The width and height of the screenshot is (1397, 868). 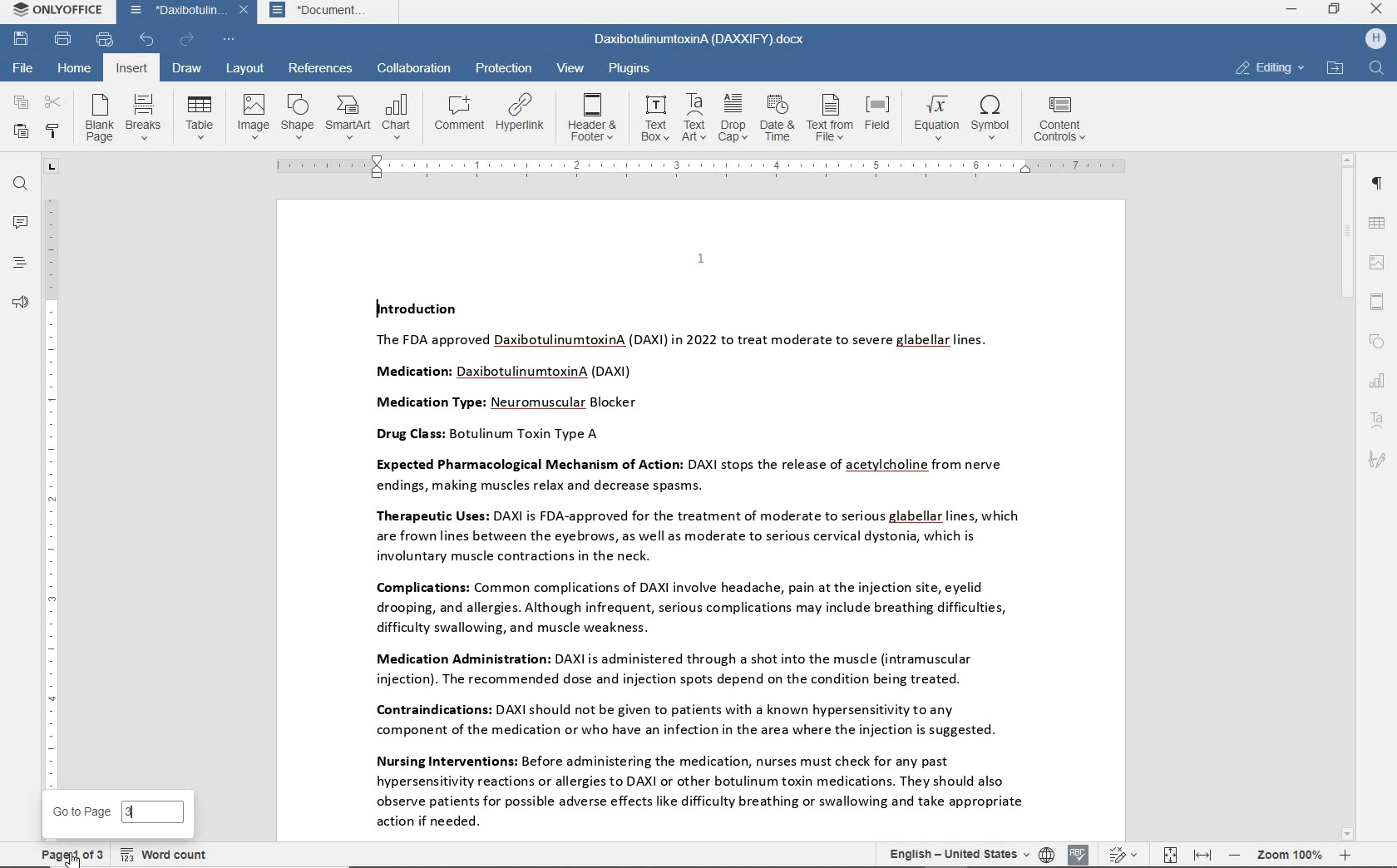 I want to click on equation, so click(x=934, y=117).